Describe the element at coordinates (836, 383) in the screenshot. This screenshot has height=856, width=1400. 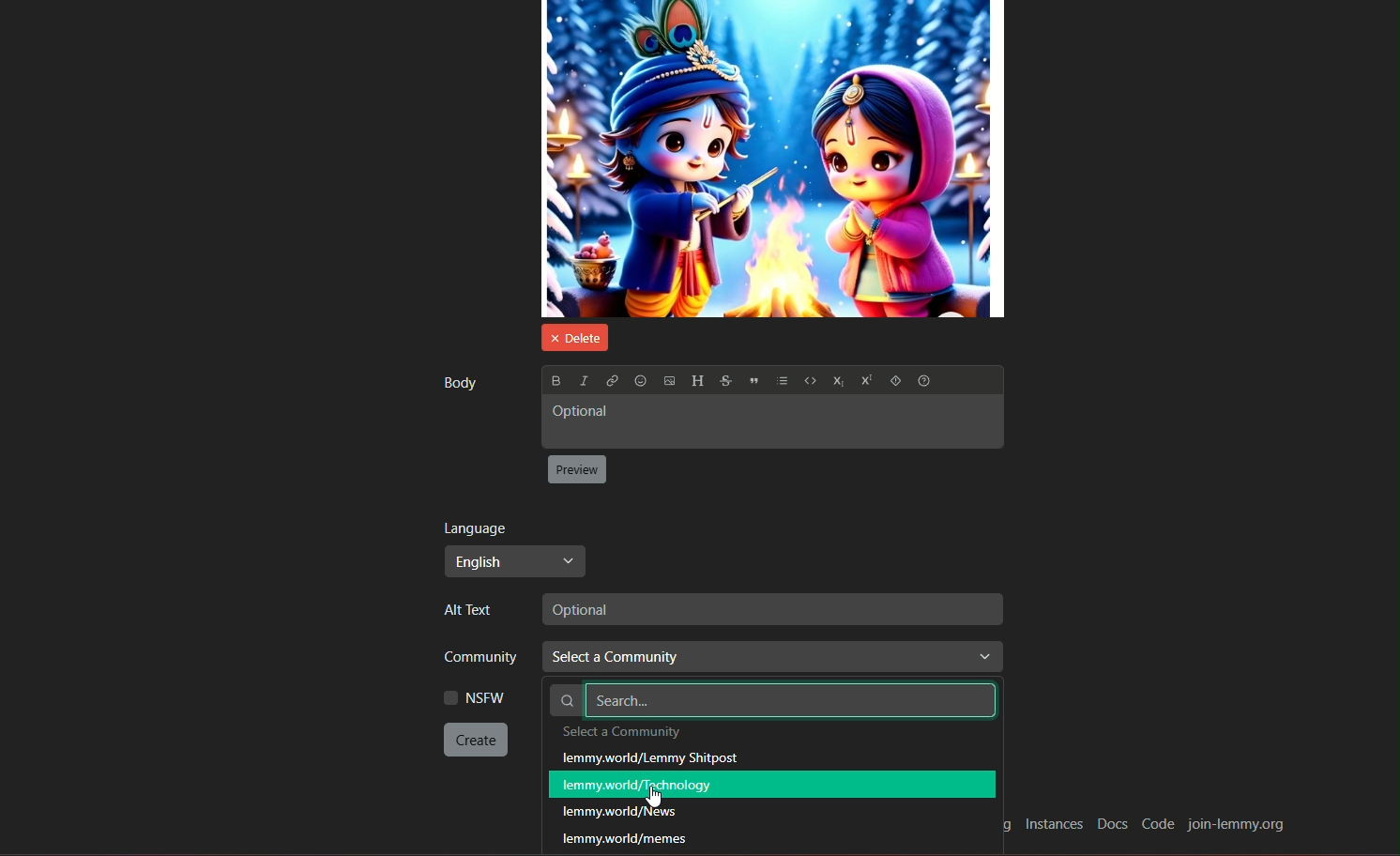
I see `` at that location.